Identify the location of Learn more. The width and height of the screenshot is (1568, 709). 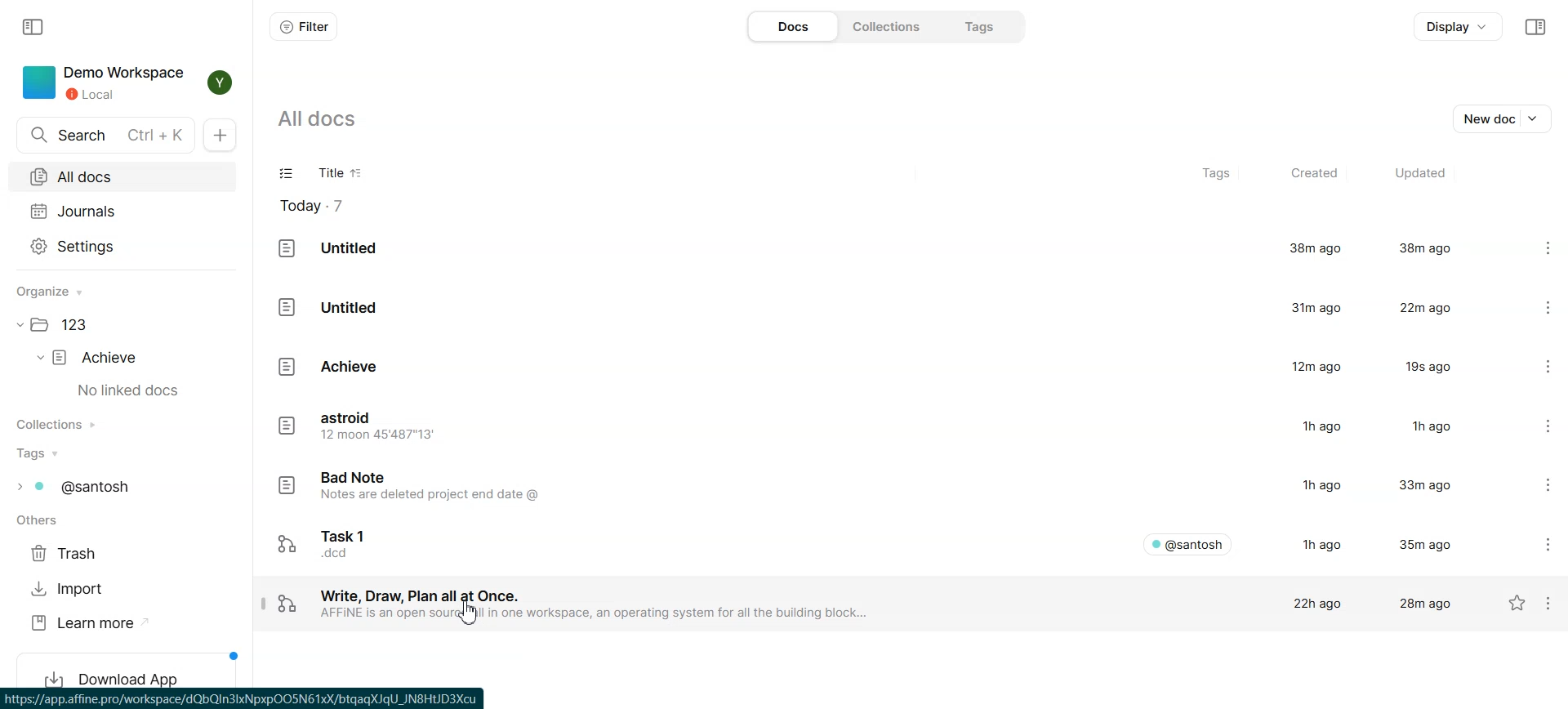
(90, 623).